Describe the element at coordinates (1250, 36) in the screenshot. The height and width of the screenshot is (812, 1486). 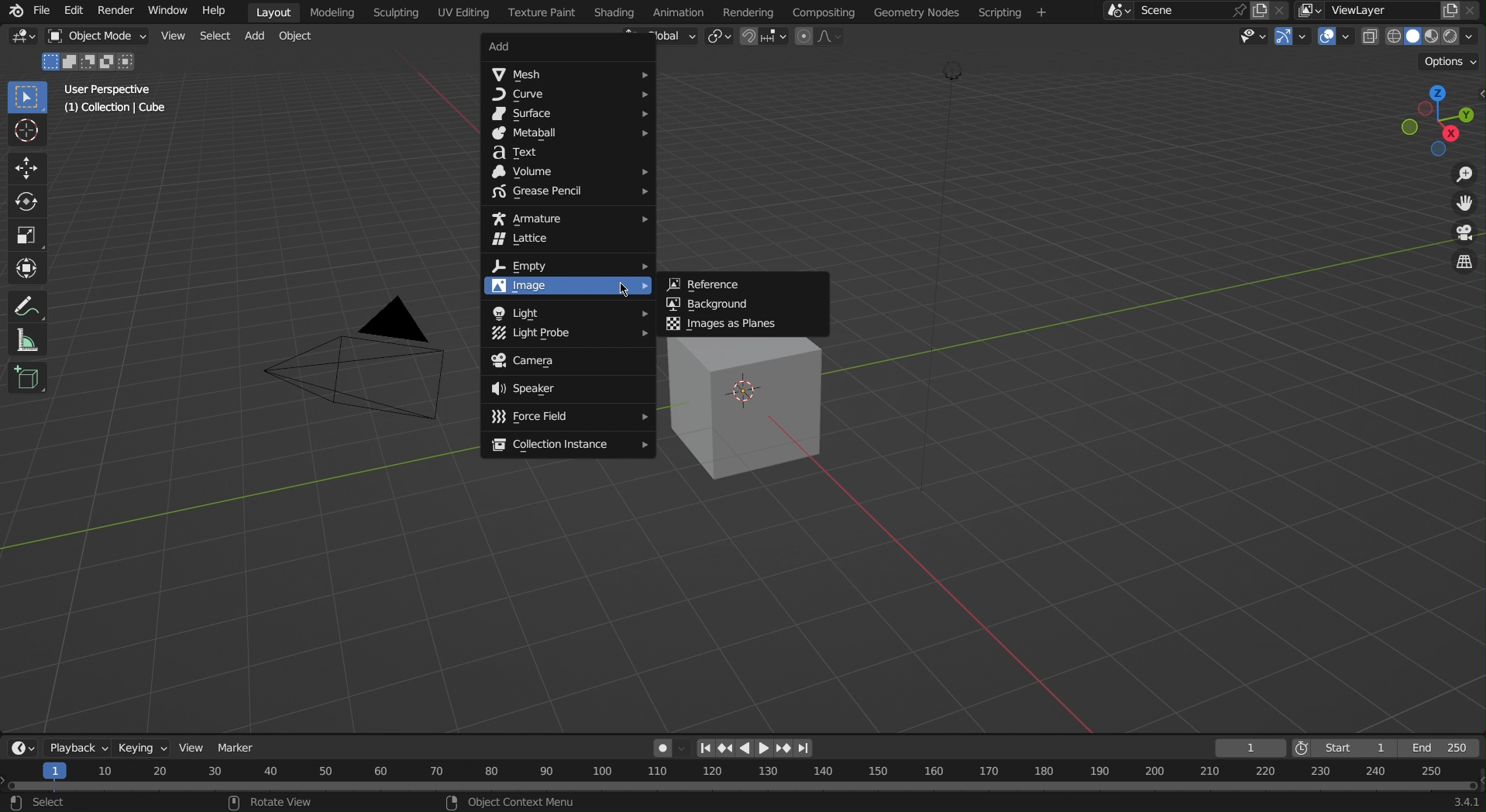
I see `View Objects Type` at that location.